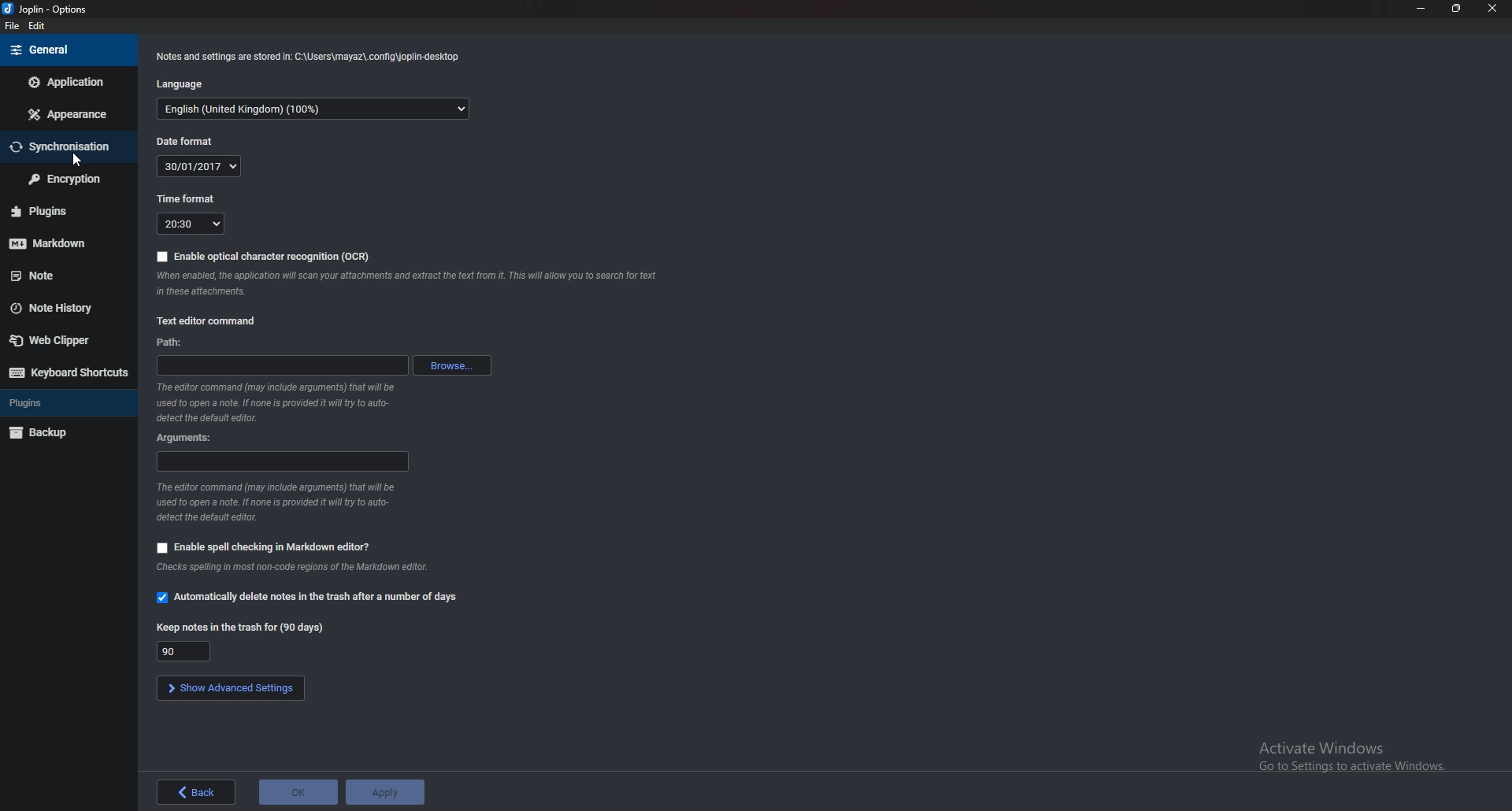 The width and height of the screenshot is (1512, 811). What do you see at coordinates (306, 598) in the screenshot?
I see `automatically delete notes` at bounding box center [306, 598].